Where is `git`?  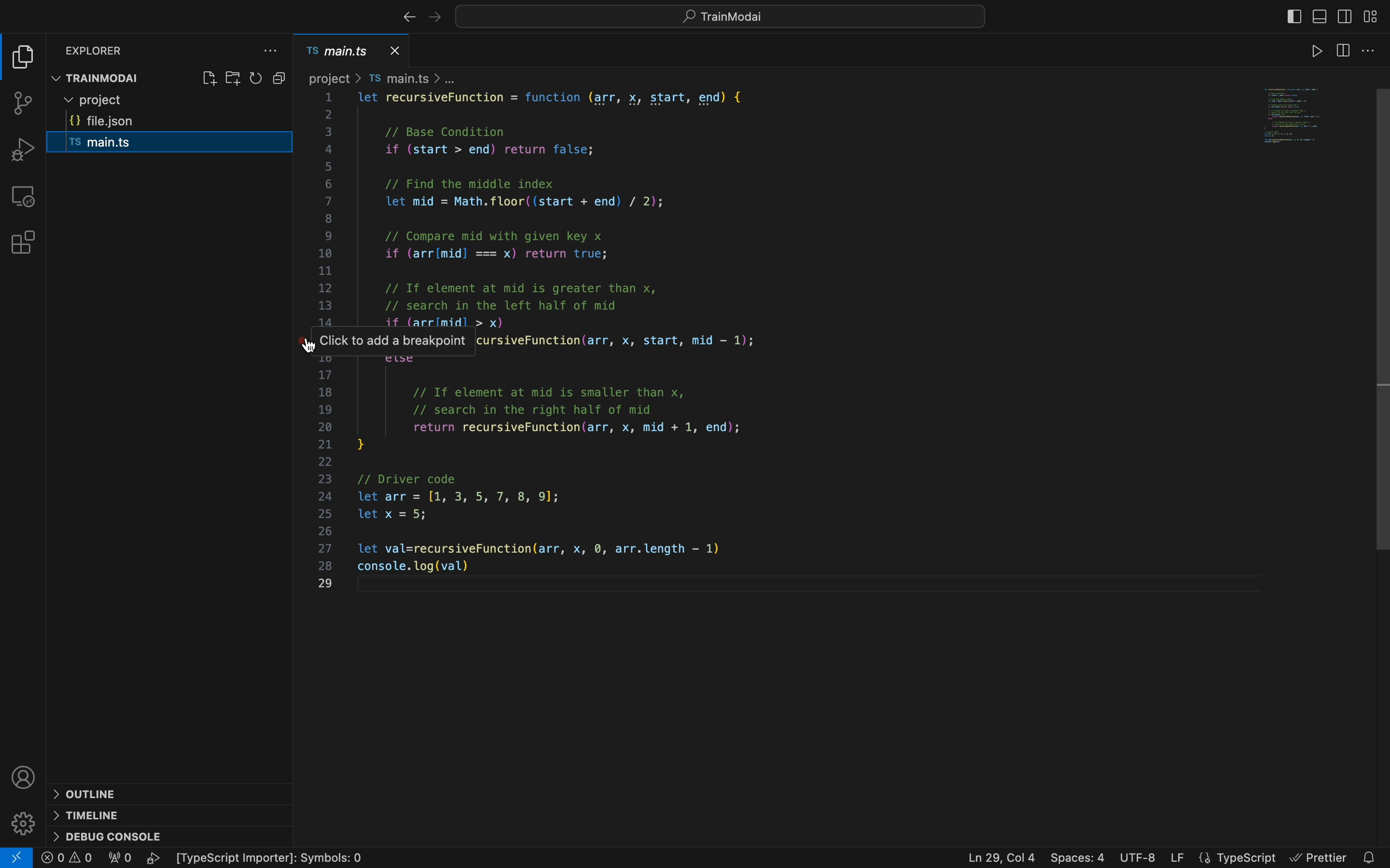
git is located at coordinates (23, 105).